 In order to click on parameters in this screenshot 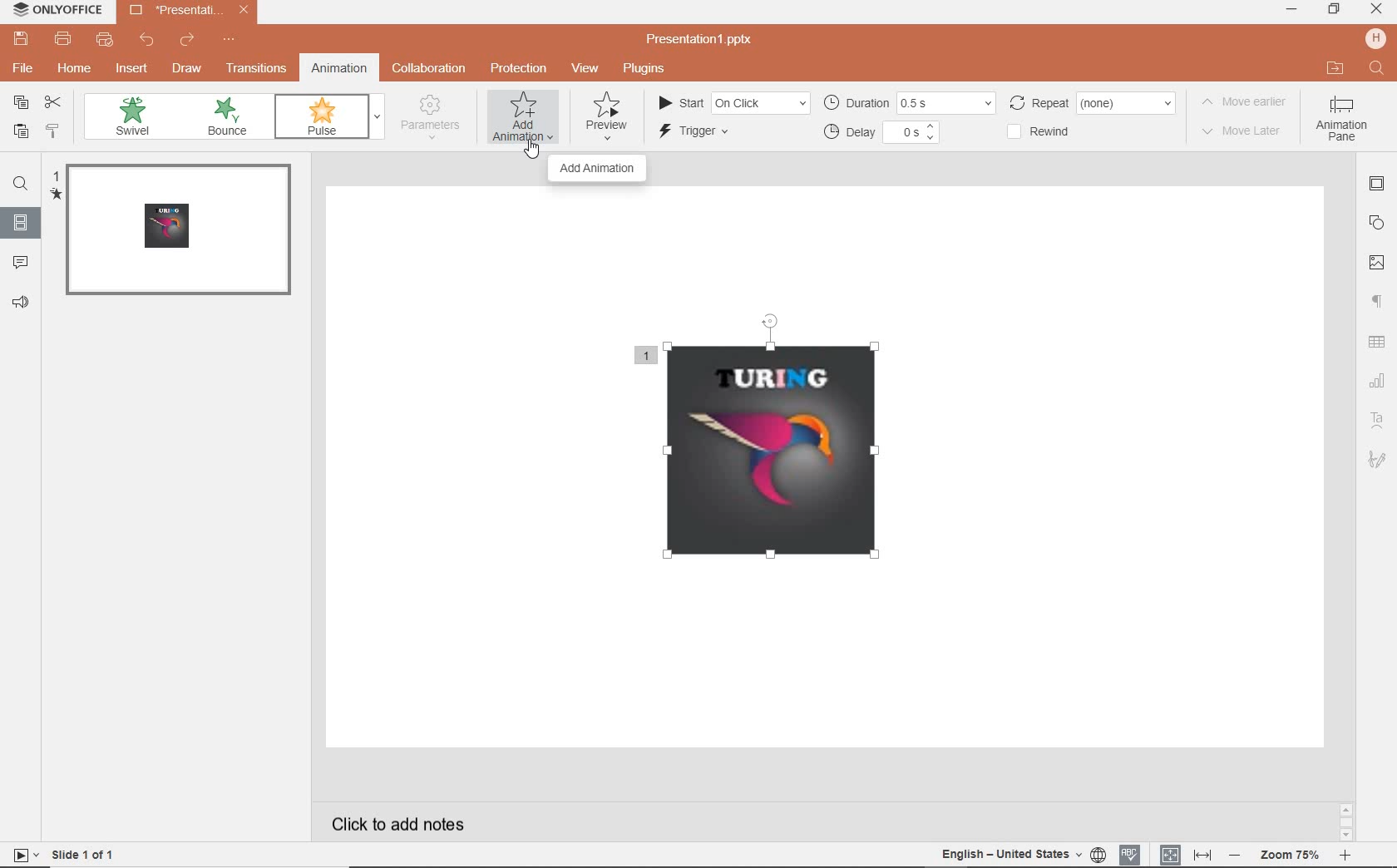, I will do `click(437, 119)`.